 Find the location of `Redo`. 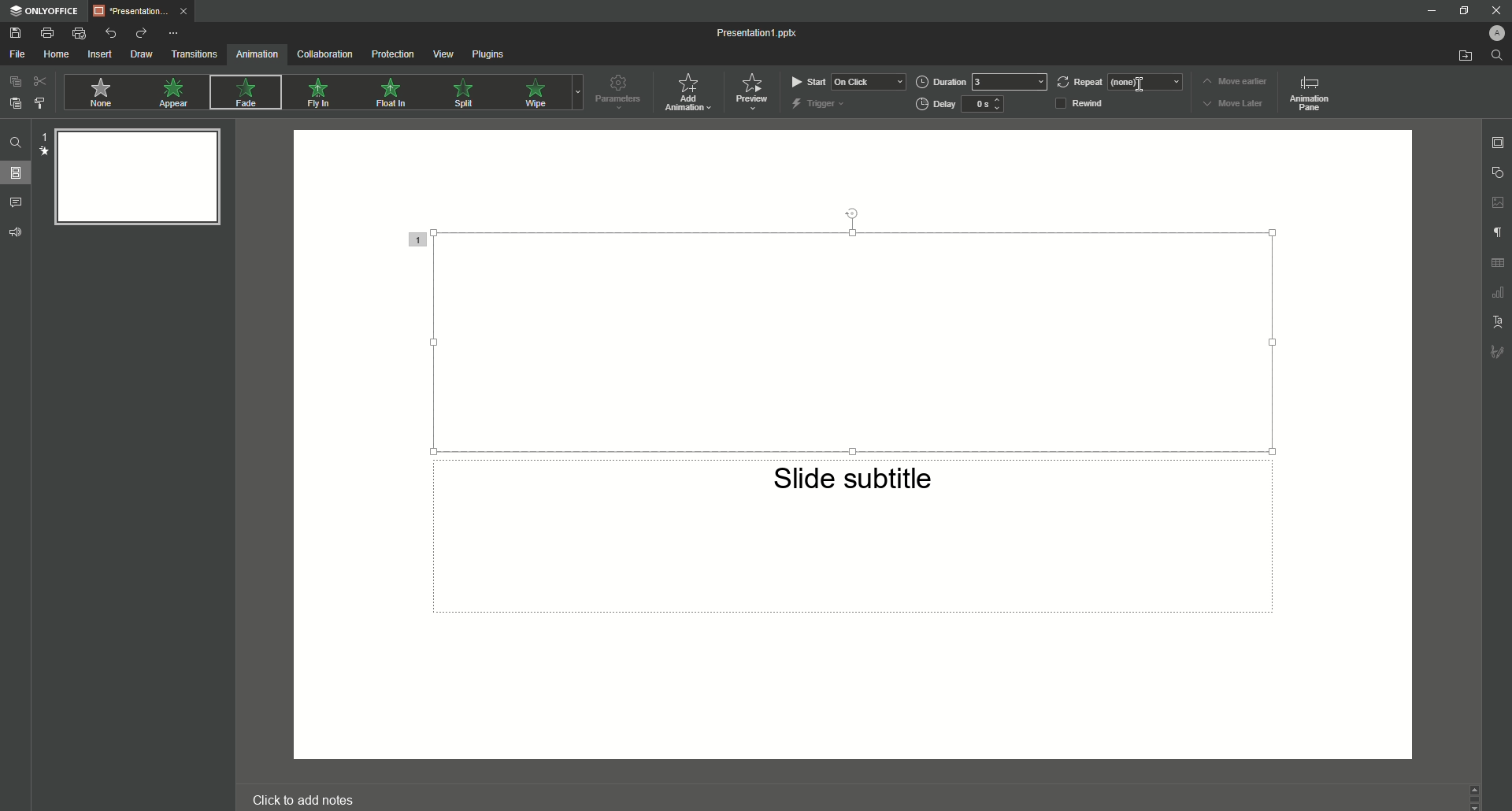

Redo is located at coordinates (142, 34).